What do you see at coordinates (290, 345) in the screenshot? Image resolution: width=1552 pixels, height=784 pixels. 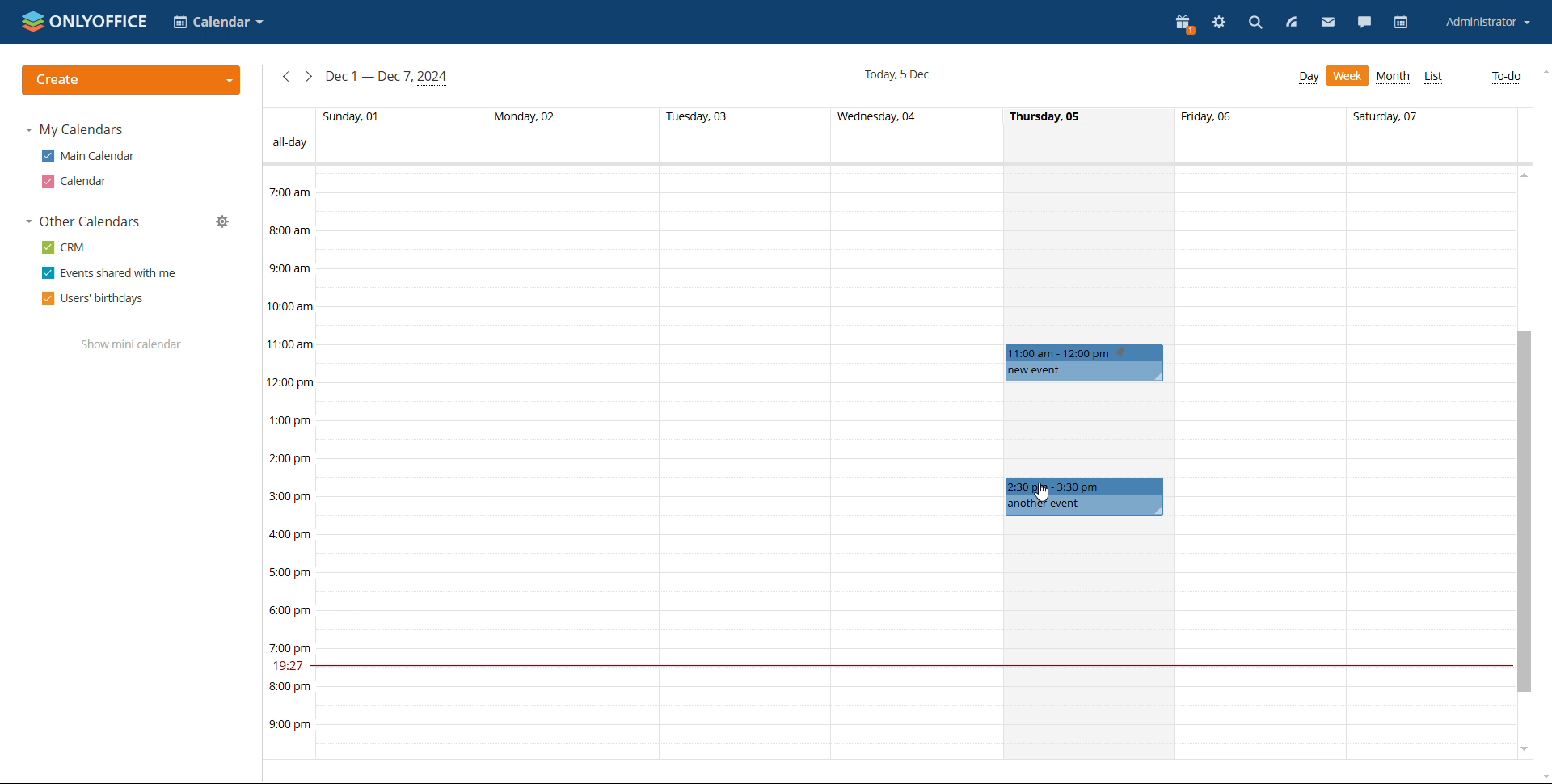 I see `11:00 am` at bounding box center [290, 345].